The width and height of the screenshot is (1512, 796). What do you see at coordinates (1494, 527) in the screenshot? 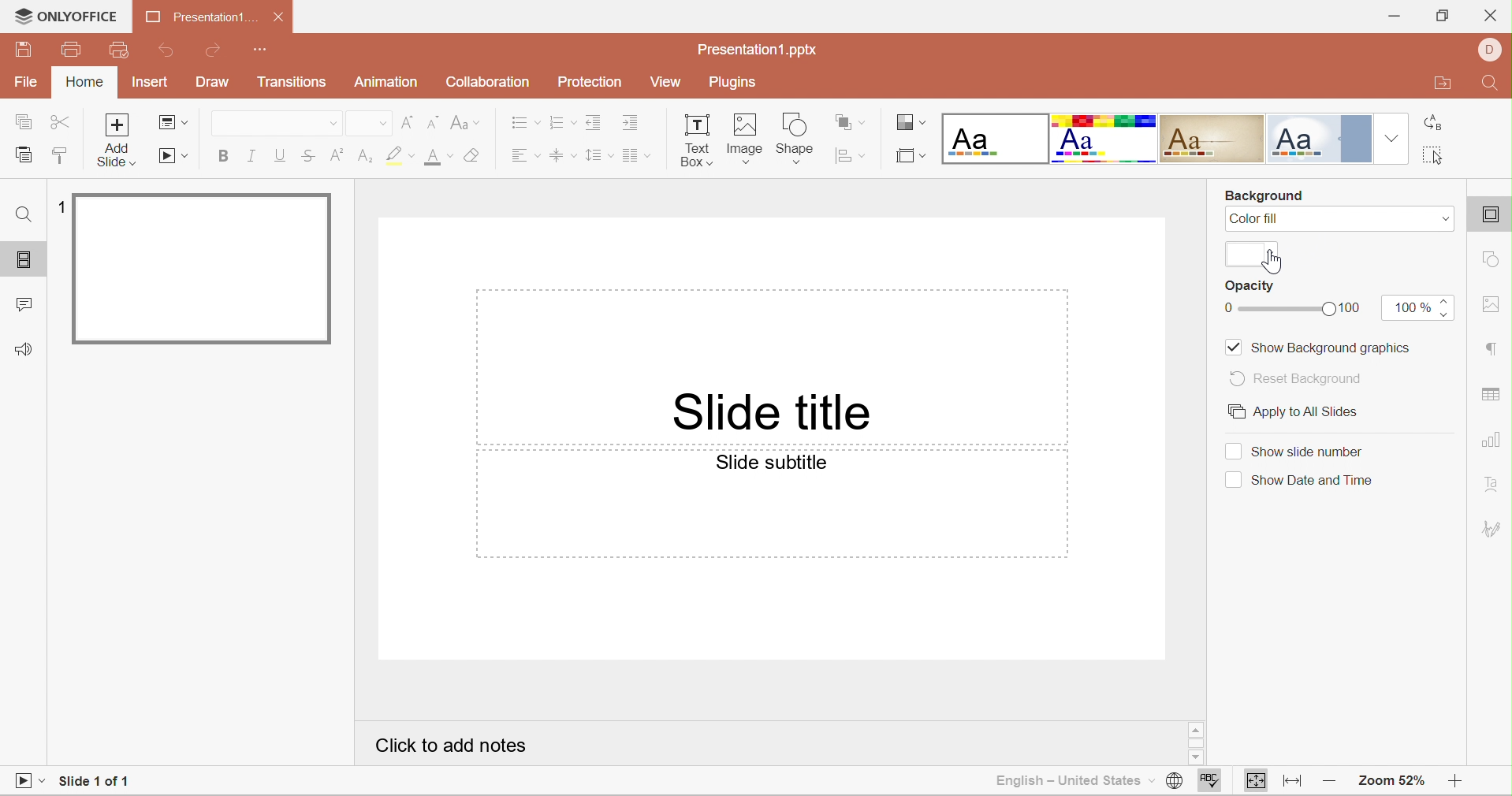
I see `Signature settings` at bounding box center [1494, 527].